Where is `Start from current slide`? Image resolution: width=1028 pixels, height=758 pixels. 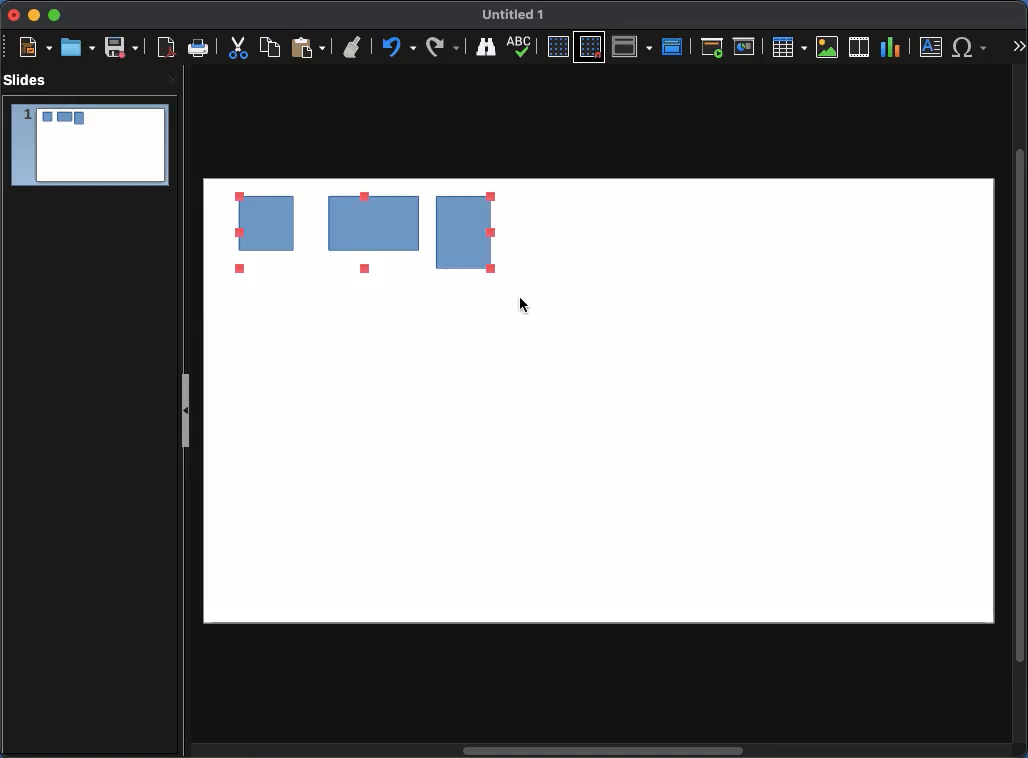
Start from current slide is located at coordinates (745, 48).